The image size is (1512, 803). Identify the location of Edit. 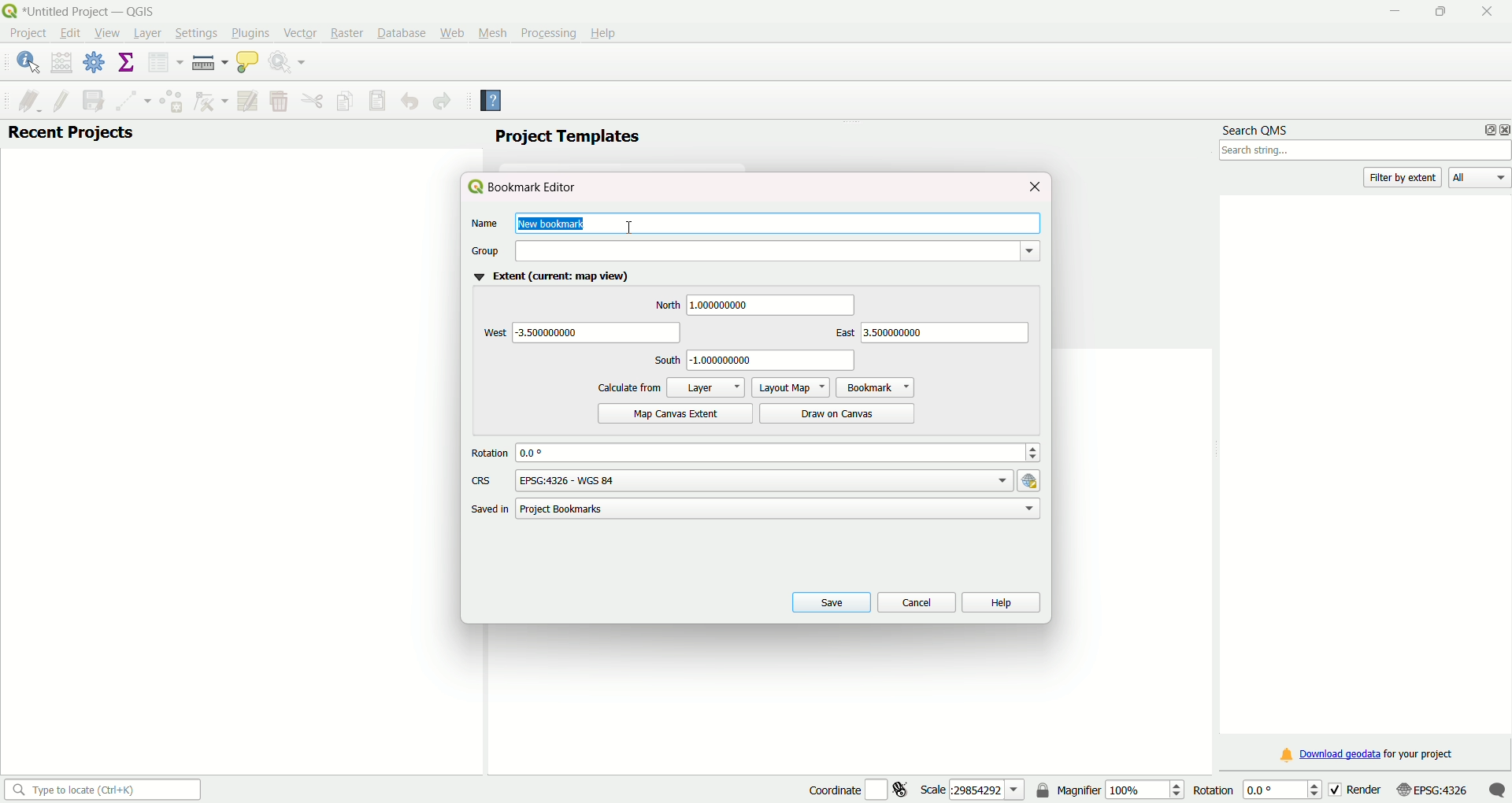
(69, 33).